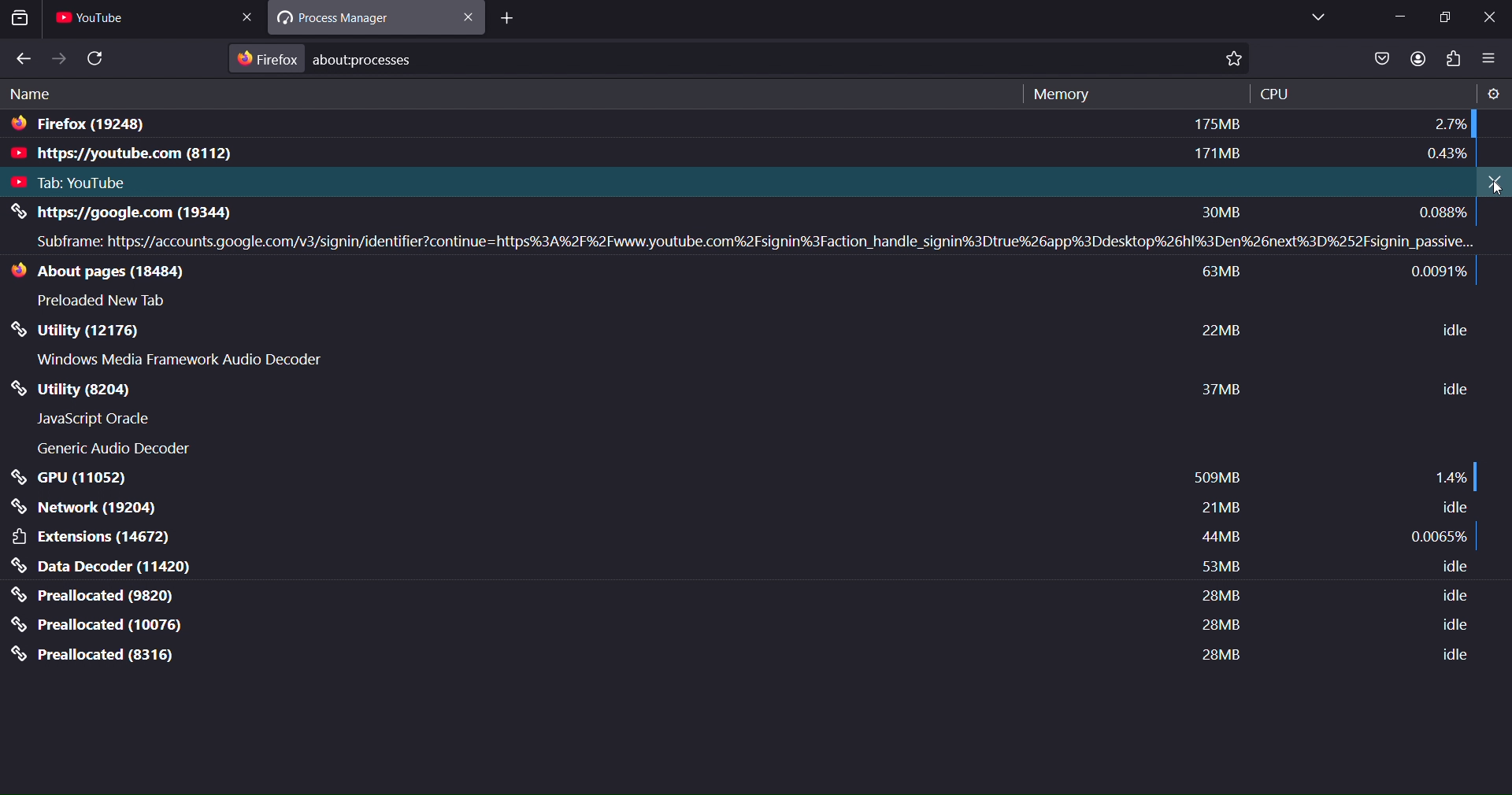  I want to click on 0.0065%, so click(1440, 537).